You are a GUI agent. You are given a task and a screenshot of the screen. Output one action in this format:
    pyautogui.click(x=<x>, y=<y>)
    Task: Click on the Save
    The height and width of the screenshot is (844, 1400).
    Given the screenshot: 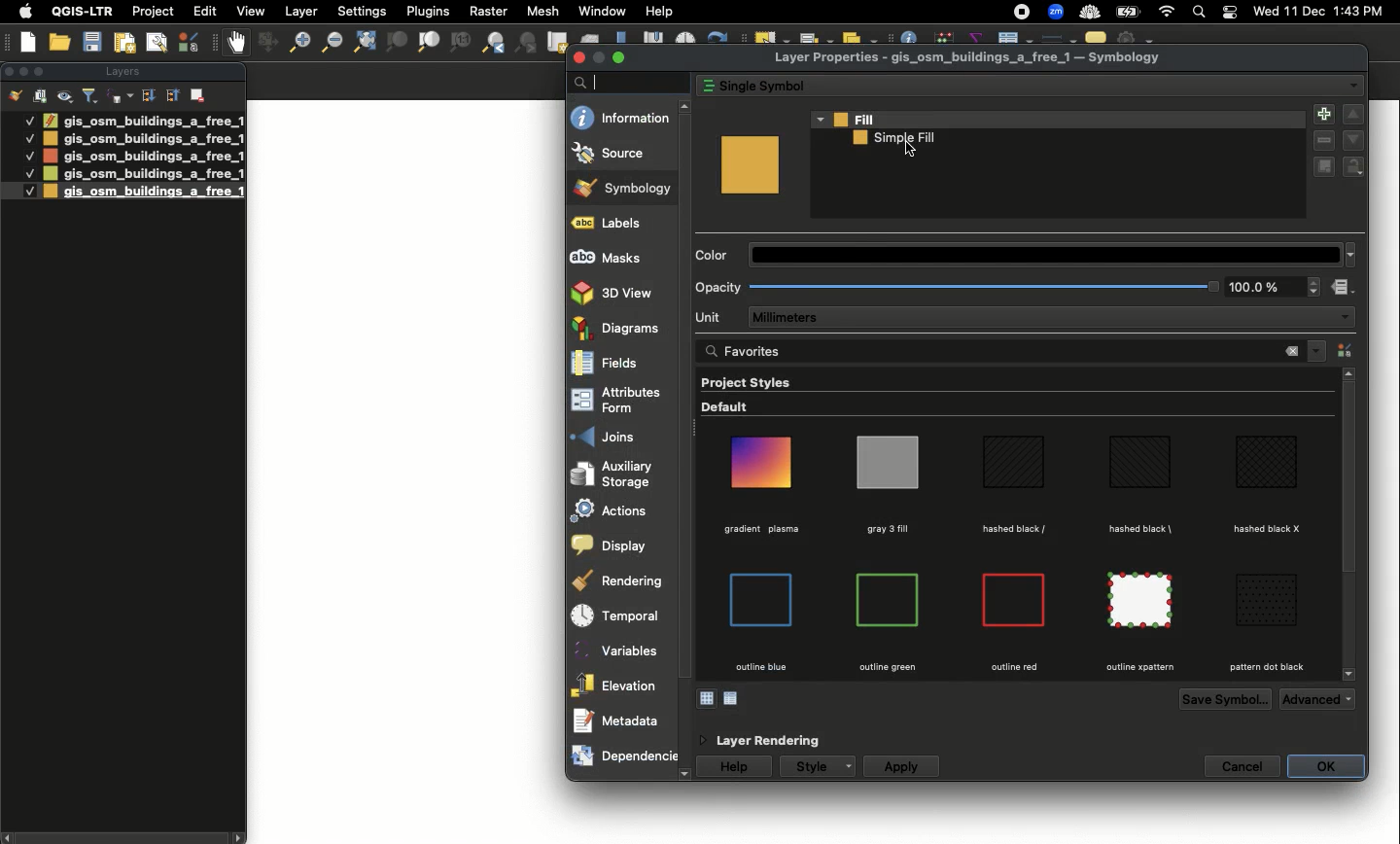 What is the action you would take?
    pyautogui.click(x=92, y=43)
    